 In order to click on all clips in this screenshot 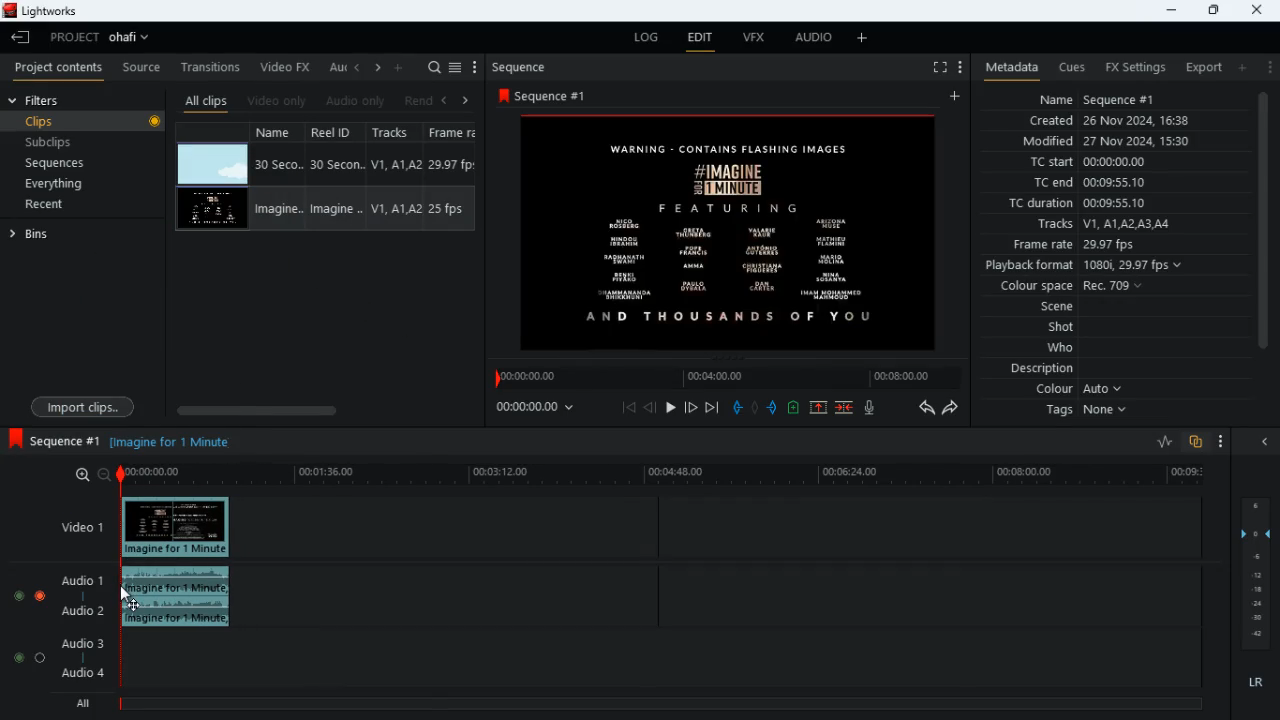, I will do `click(206, 101)`.